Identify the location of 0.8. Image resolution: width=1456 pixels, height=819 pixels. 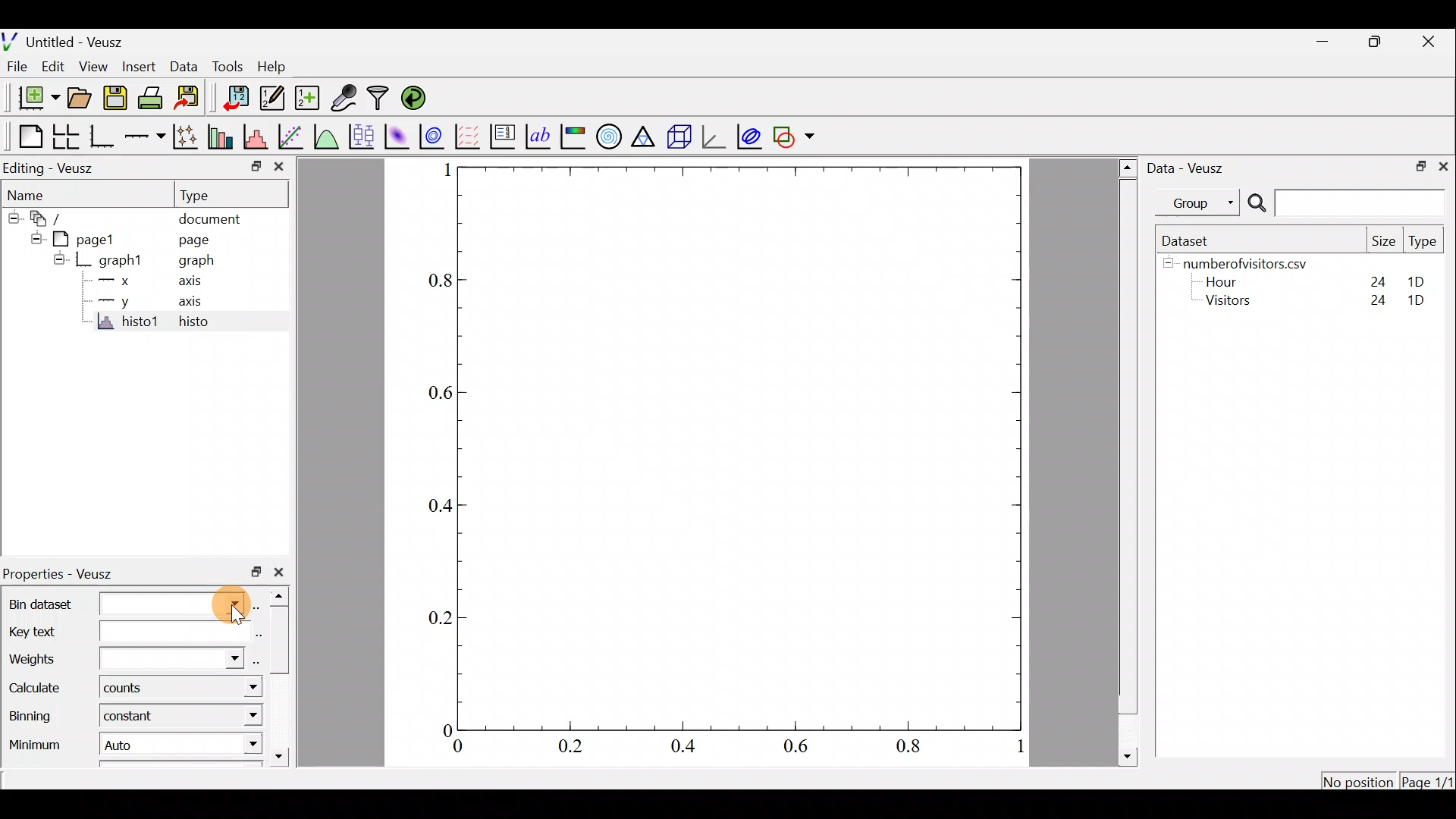
(432, 278).